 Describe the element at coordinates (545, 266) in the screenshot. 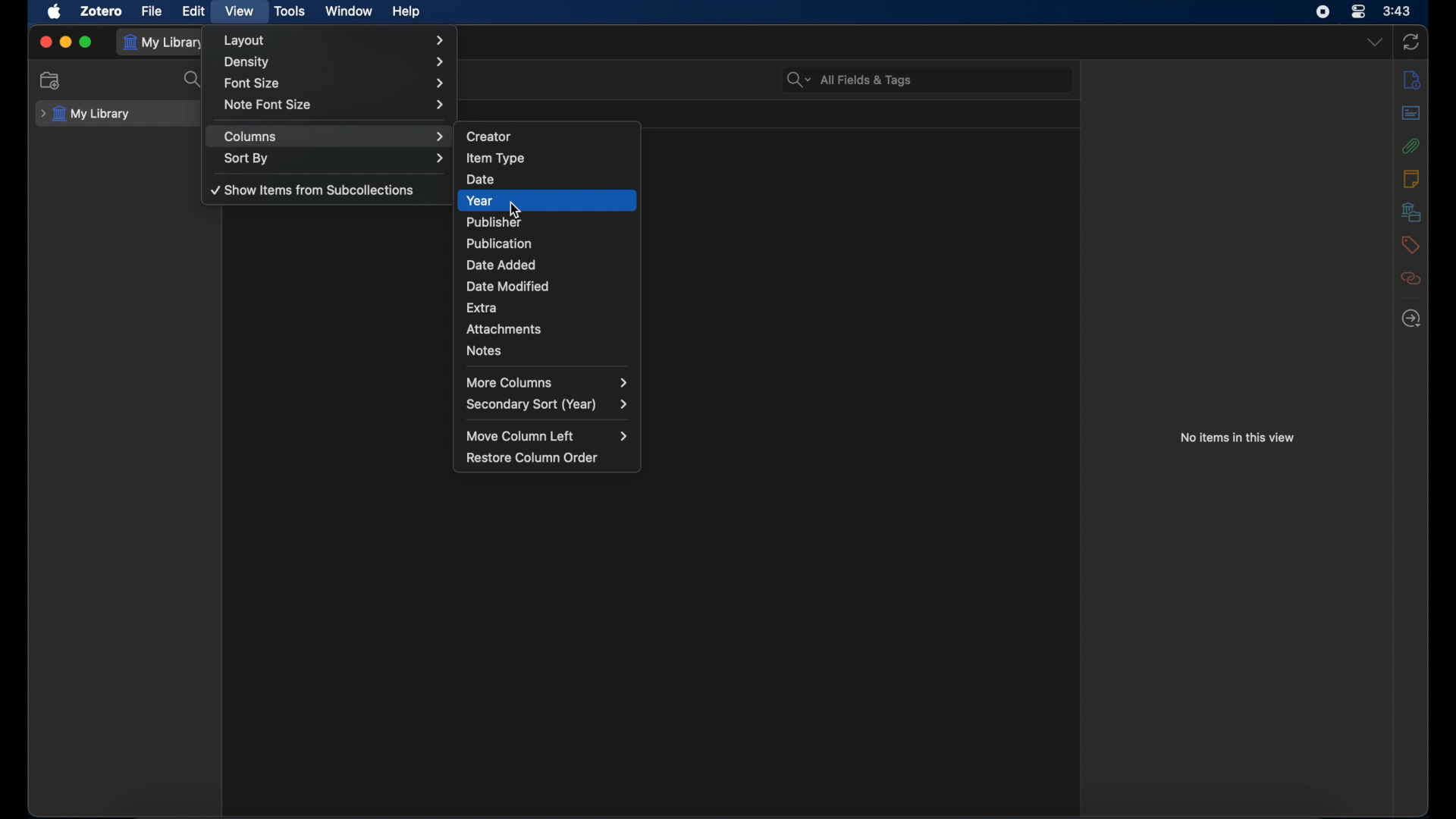

I see `date added` at that location.